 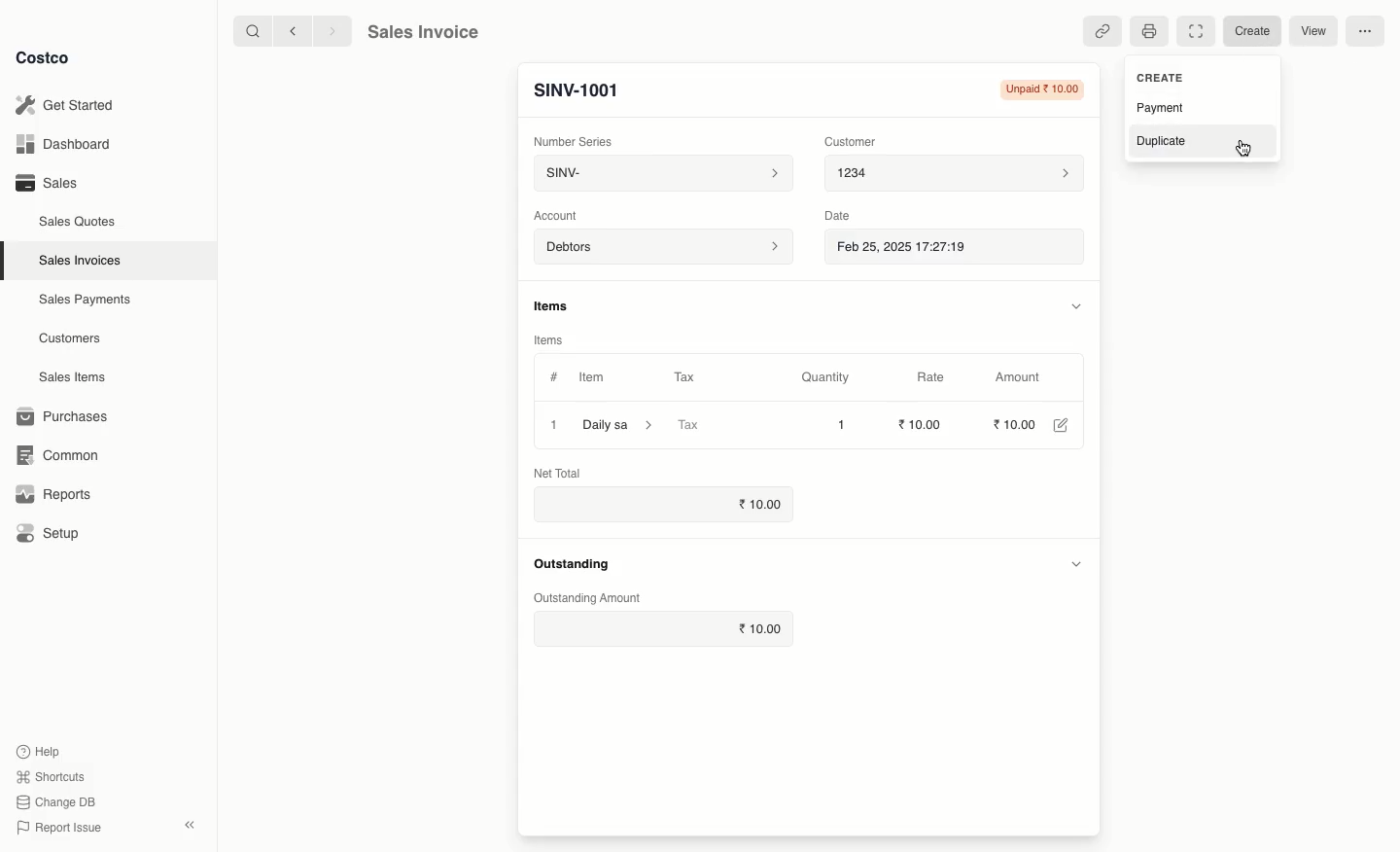 I want to click on Number Series, so click(x=574, y=141).